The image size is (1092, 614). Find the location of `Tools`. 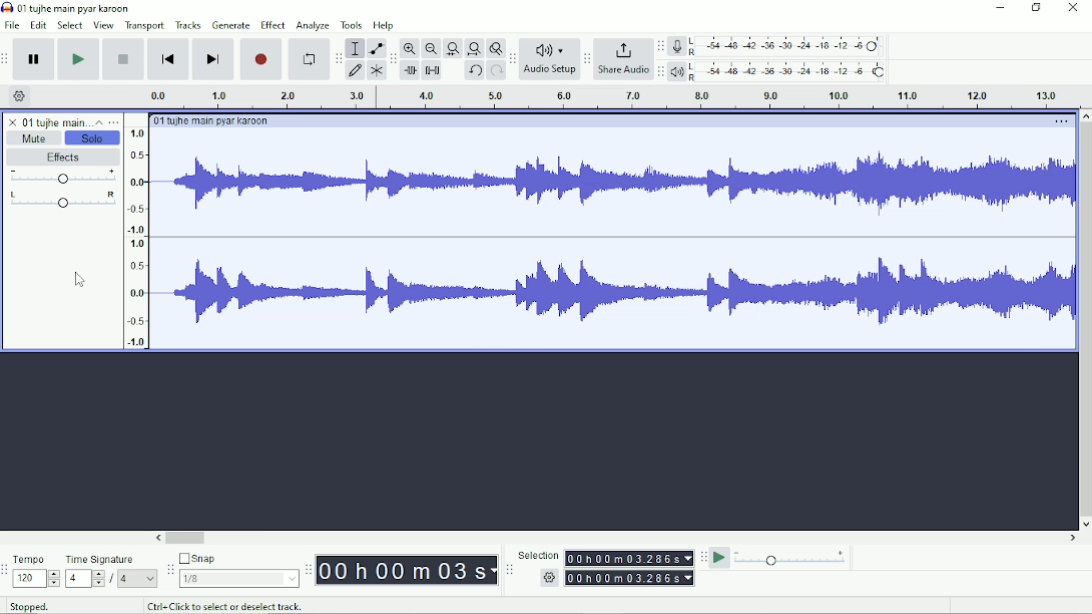

Tools is located at coordinates (352, 25).